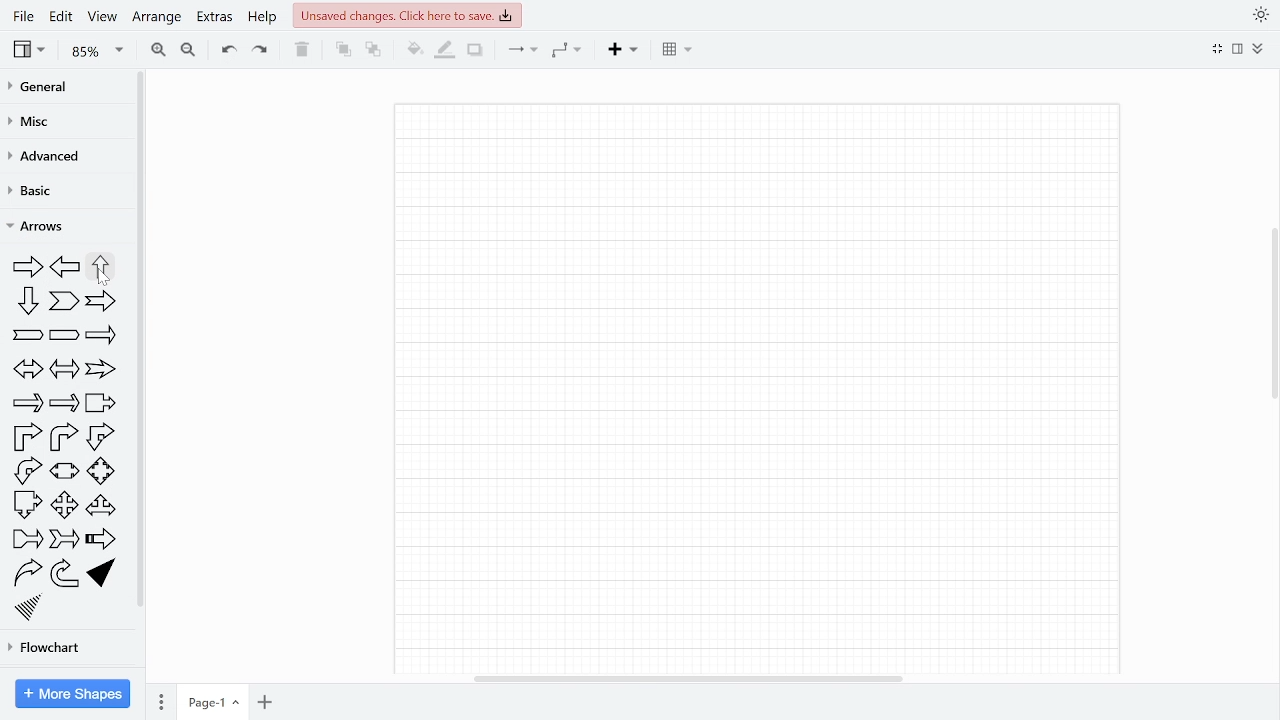 The image size is (1280, 720). Describe the element at coordinates (1238, 50) in the screenshot. I see `Format` at that location.